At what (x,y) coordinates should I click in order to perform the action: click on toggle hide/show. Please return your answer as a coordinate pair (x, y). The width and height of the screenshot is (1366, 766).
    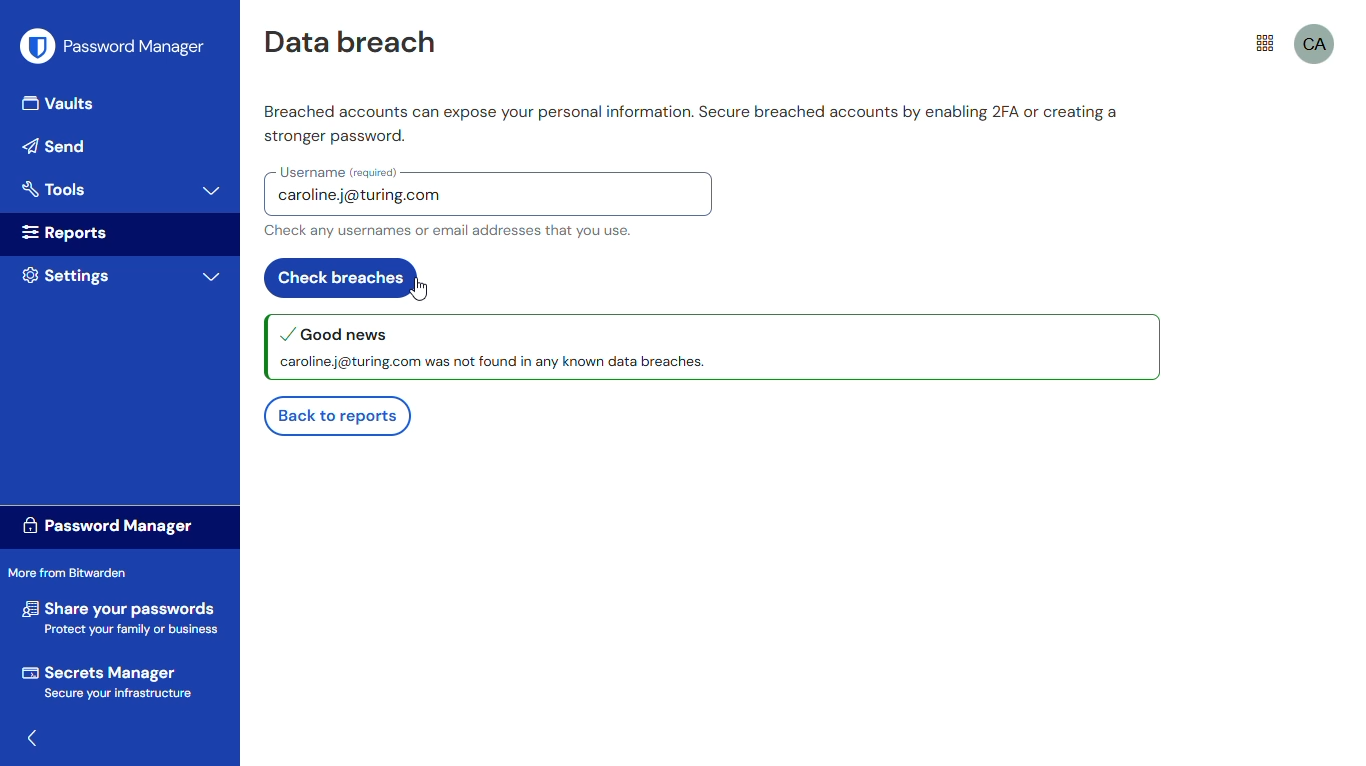
    Looking at the image, I should click on (35, 739).